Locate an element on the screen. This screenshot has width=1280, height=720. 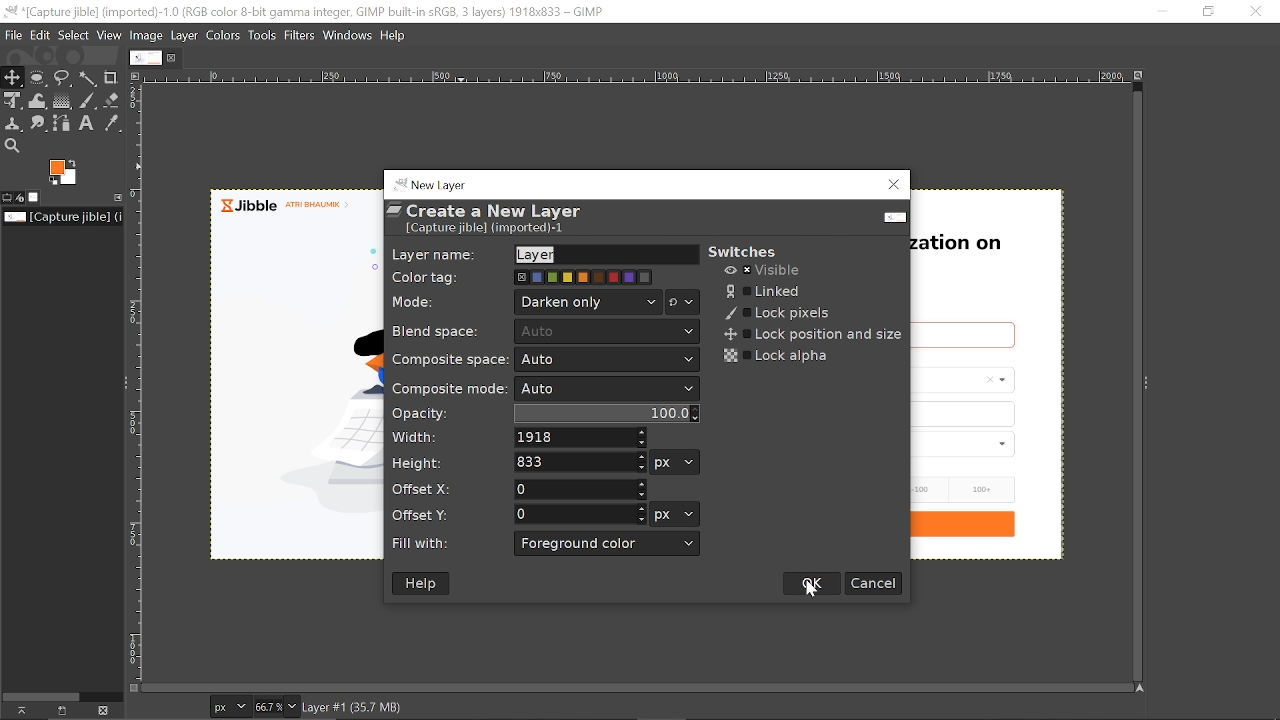
Height is located at coordinates (579, 462).